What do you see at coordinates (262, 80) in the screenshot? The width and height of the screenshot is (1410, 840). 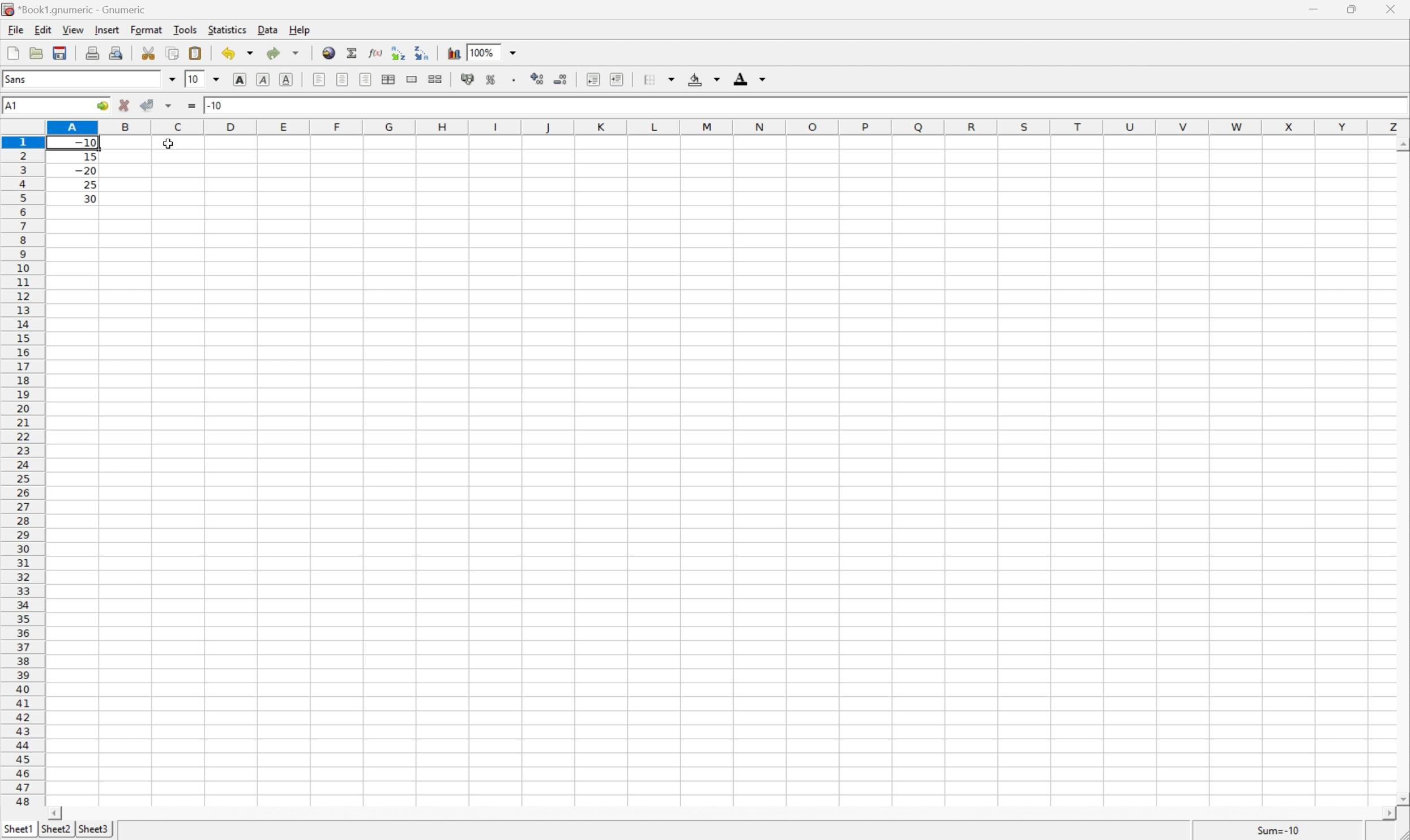 I see `Underline ` at bounding box center [262, 80].